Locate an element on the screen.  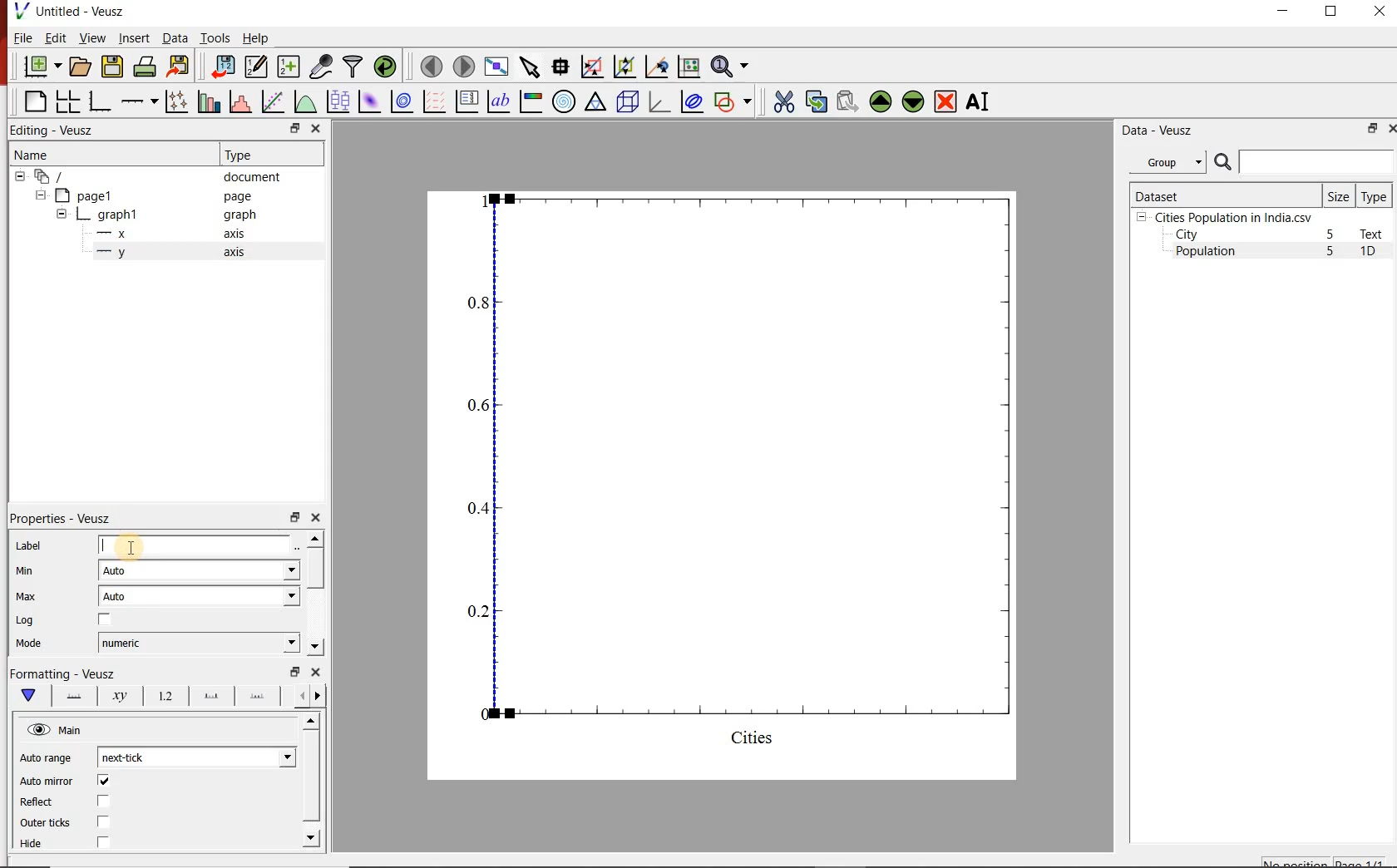
Axis line is located at coordinates (73, 698).